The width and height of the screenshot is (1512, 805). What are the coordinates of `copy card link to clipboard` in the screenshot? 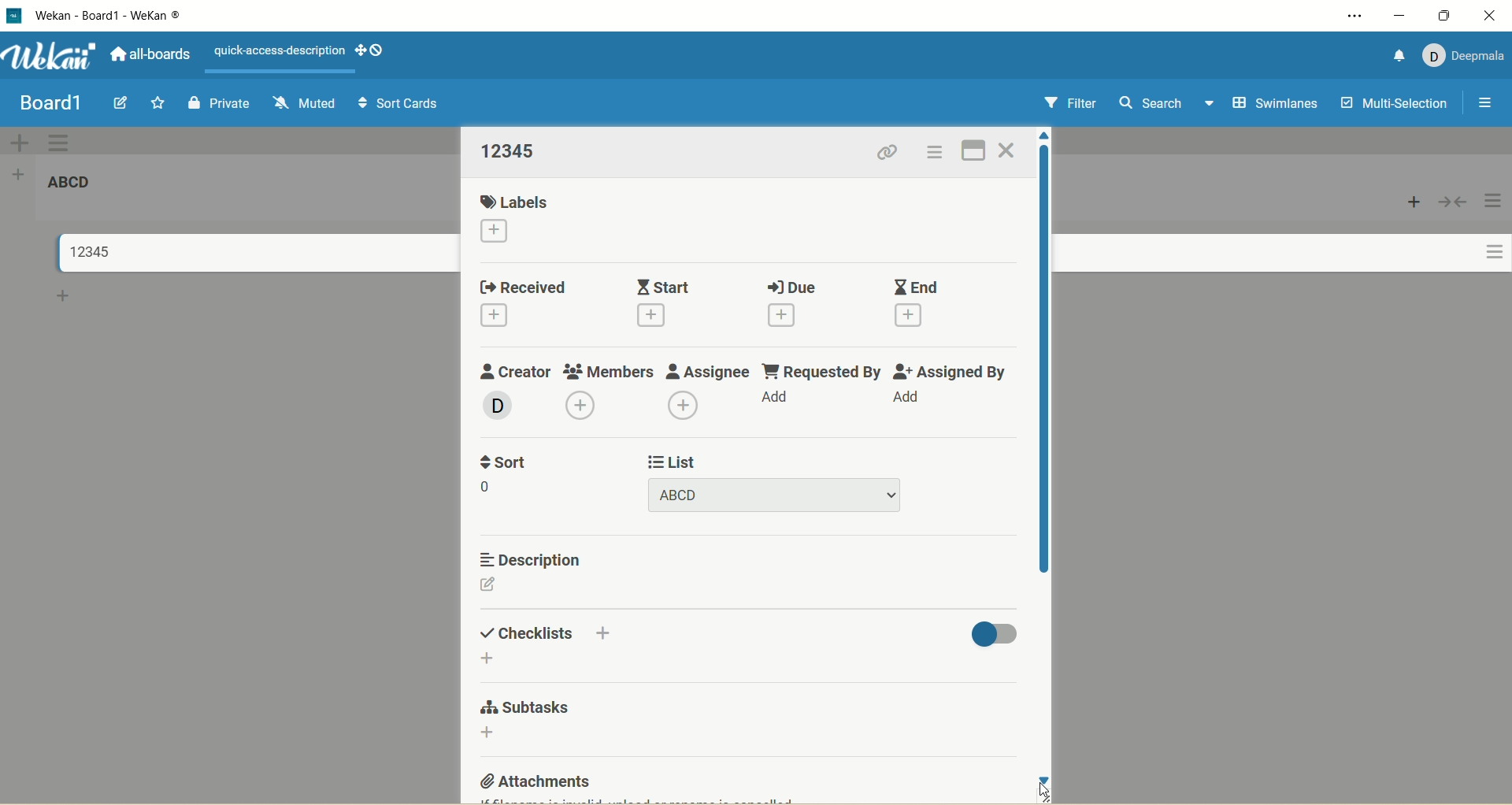 It's located at (888, 154).